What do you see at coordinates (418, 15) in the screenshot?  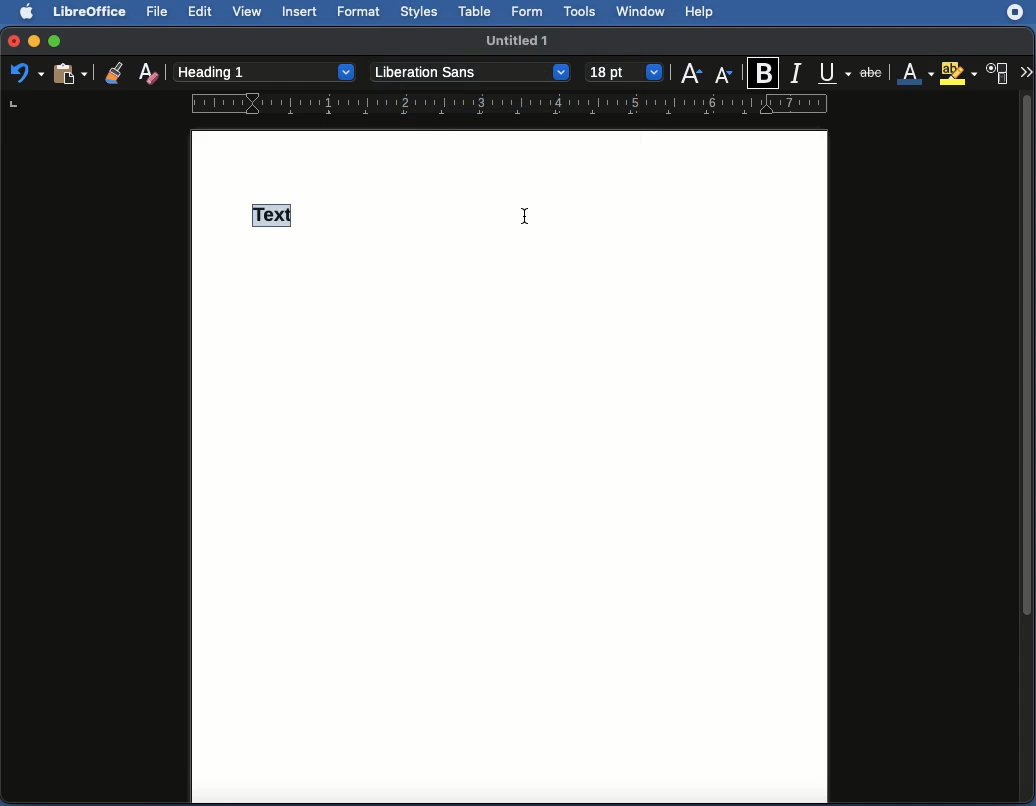 I see `Styles` at bounding box center [418, 15].